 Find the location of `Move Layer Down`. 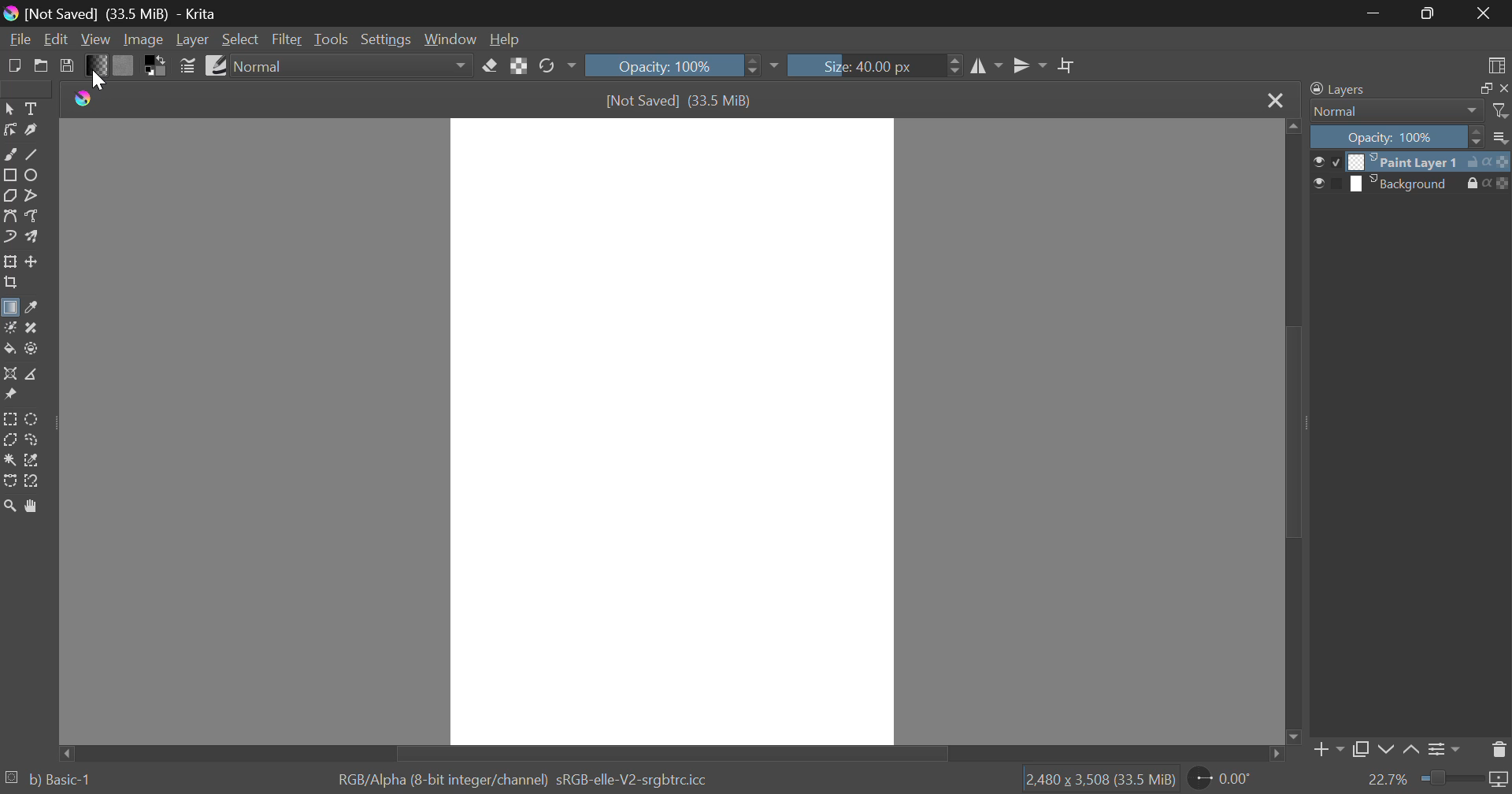

Move Layer Down is located at coordinates (1386, 751).